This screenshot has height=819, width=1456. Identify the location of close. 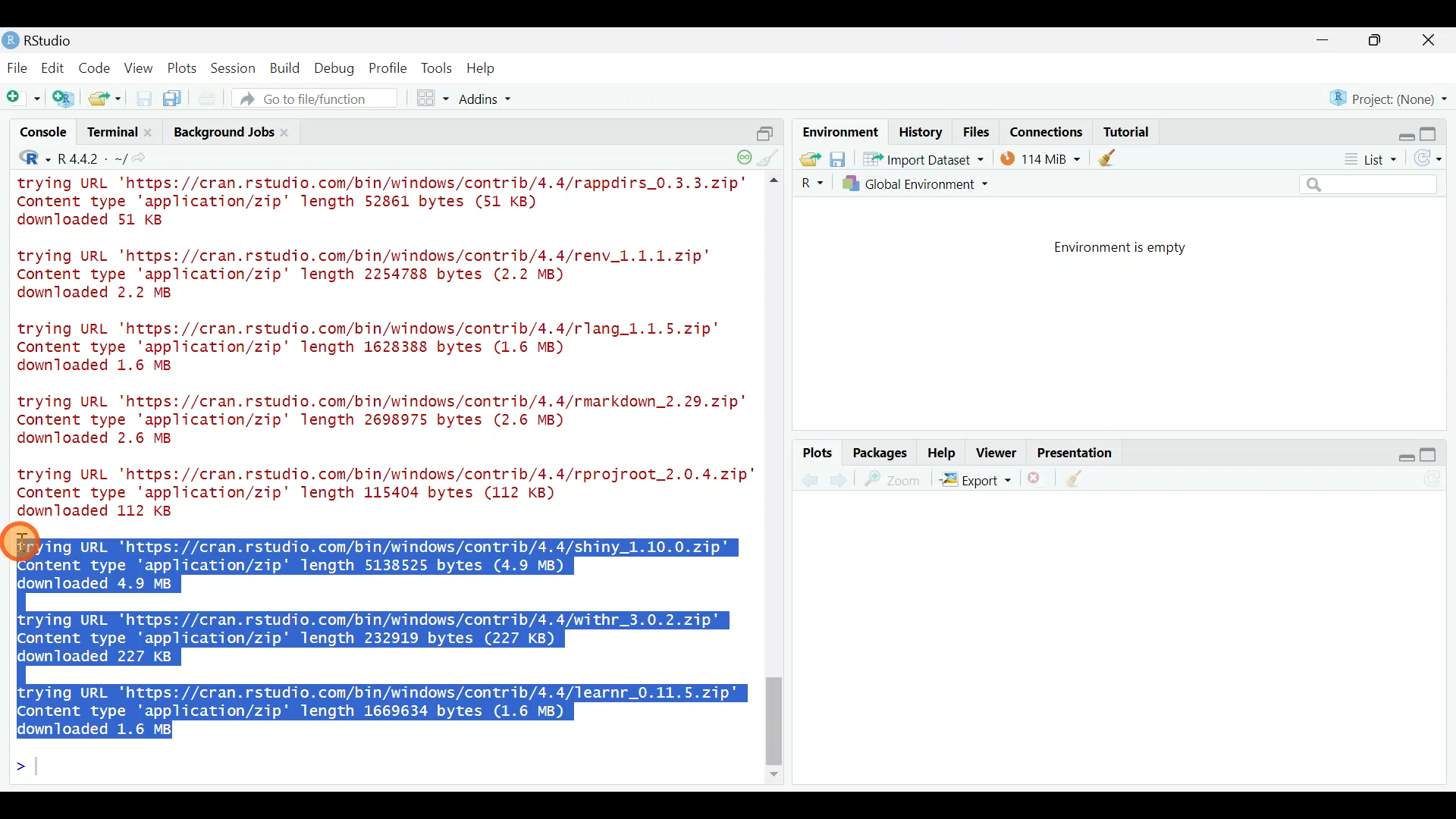
(1429, 42).